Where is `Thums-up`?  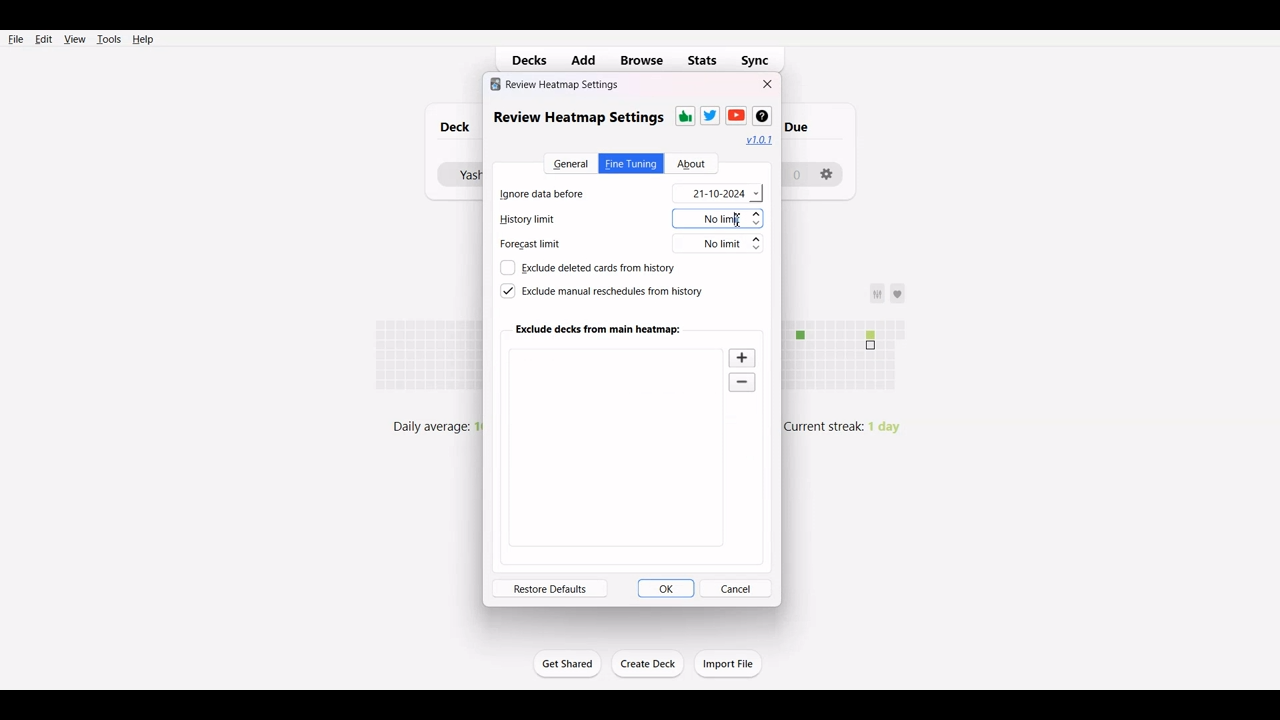
Thums-up is located at coordinates (684, 116).